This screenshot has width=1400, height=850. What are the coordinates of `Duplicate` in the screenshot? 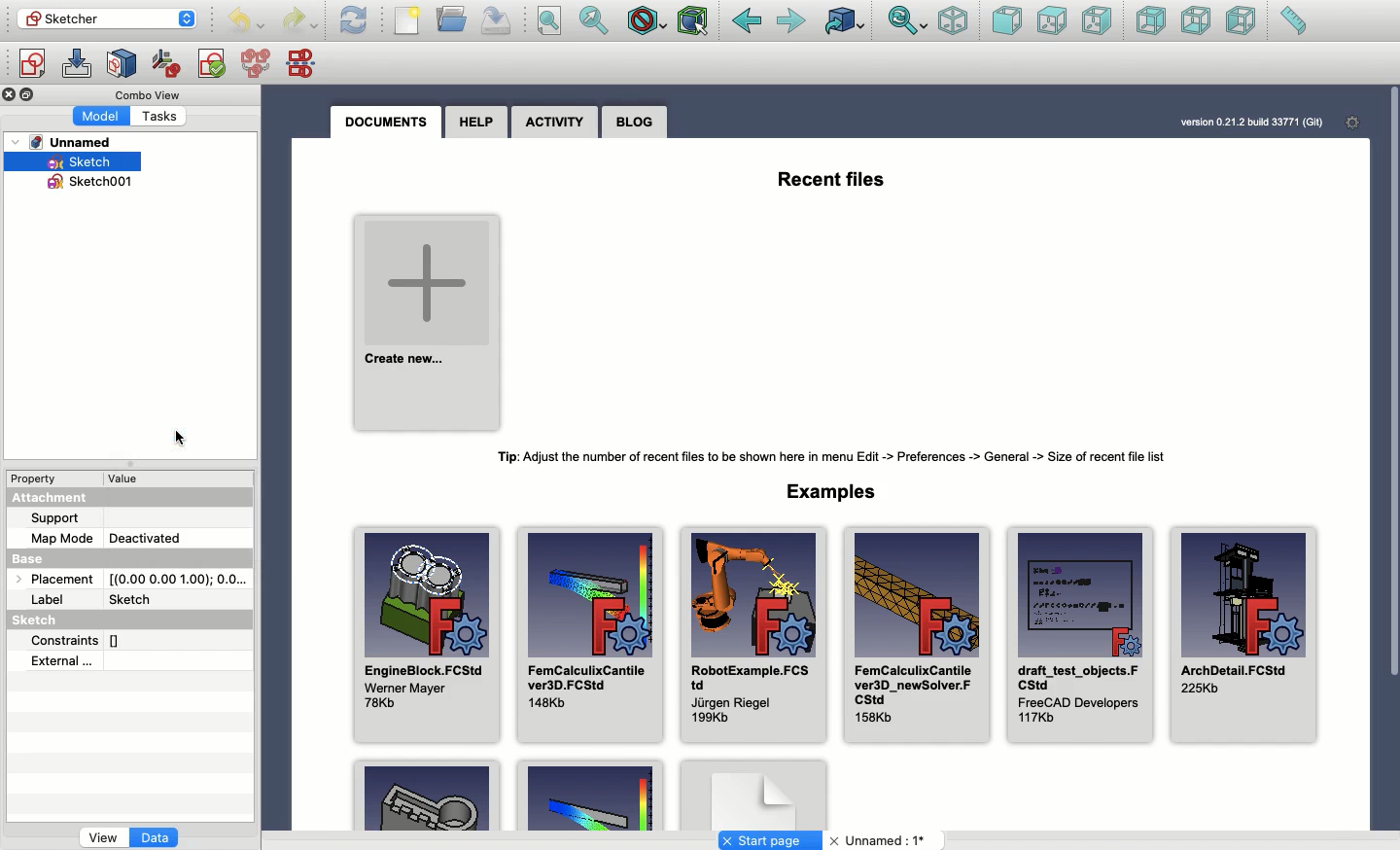 It's located at (30, 95).